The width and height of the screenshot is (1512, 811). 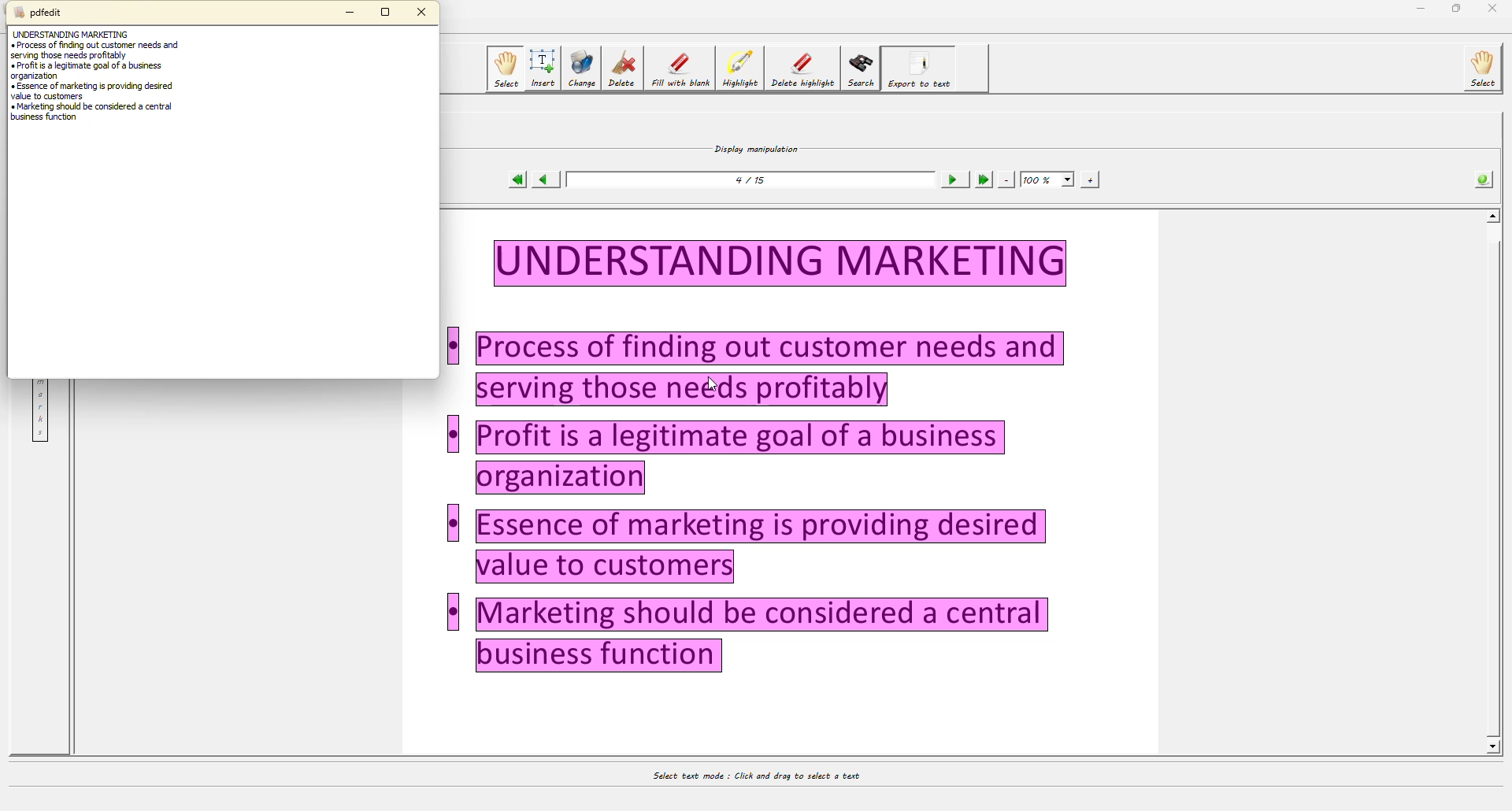 What do you see at coordinates (983, 179) in the screenshot?
I see `last page` at bounding box center [983, 179].